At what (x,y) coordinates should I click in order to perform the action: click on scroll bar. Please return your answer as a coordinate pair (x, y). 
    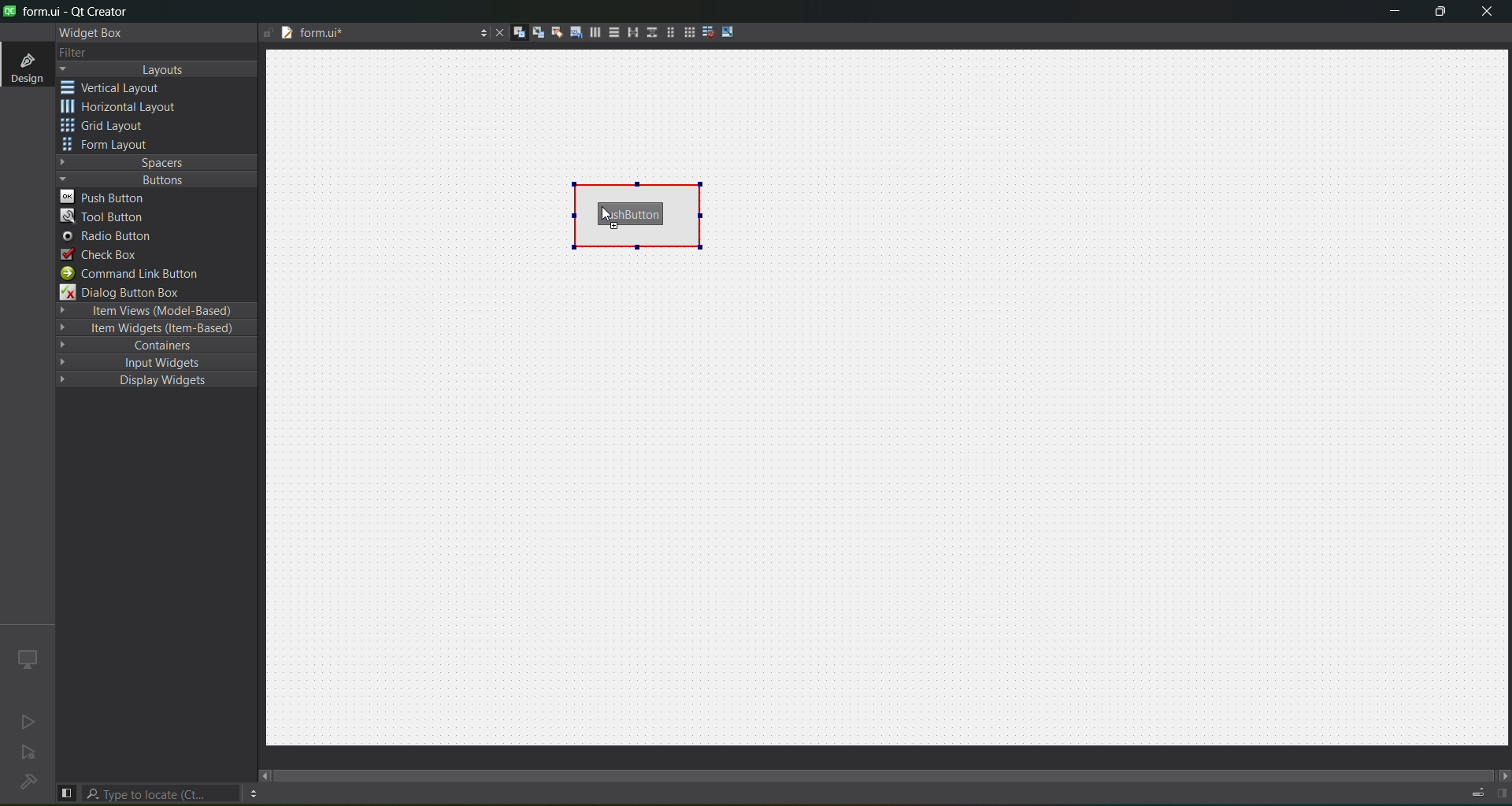
    Looking at the image, I should click on (885, 768).